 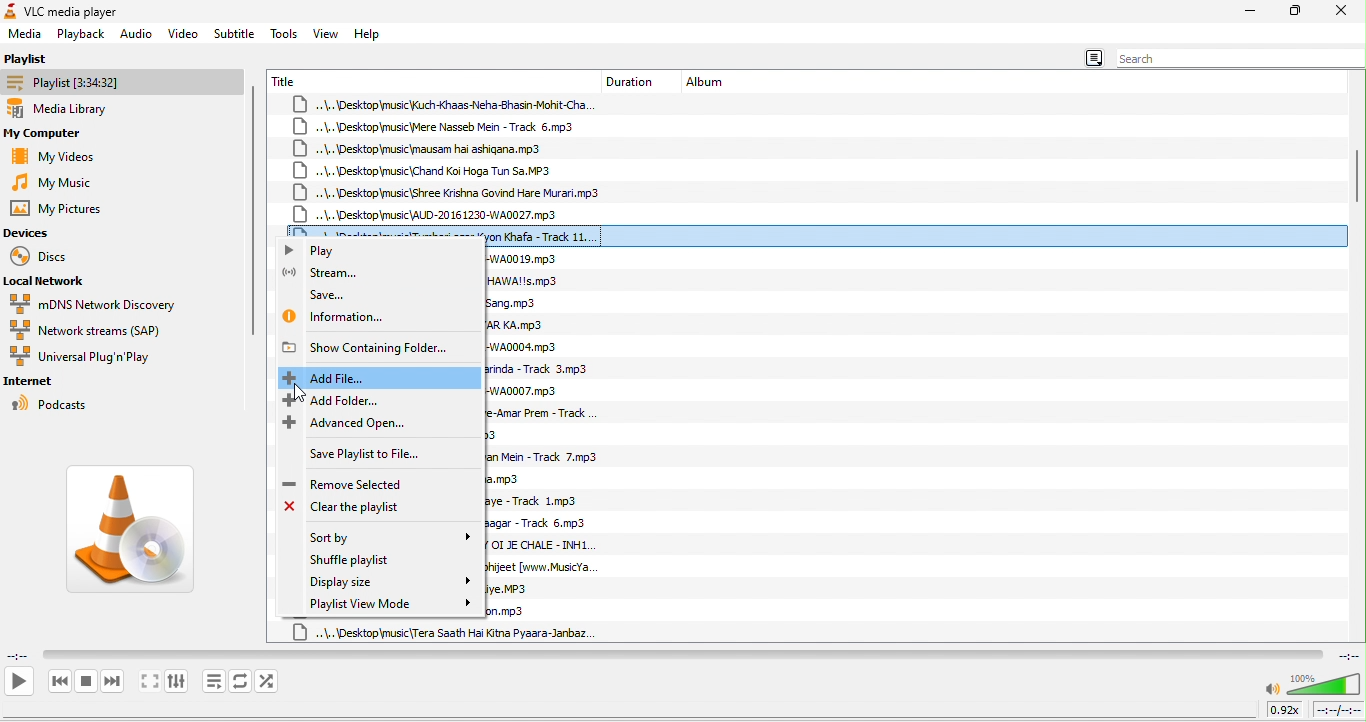 What do you see at coordinates (533, 280) in the screenshot?
I see `..\.. \Desktop\music\DIL LAGI NE DI HAWA!!s.mp3` at bounding box center [533, 280].